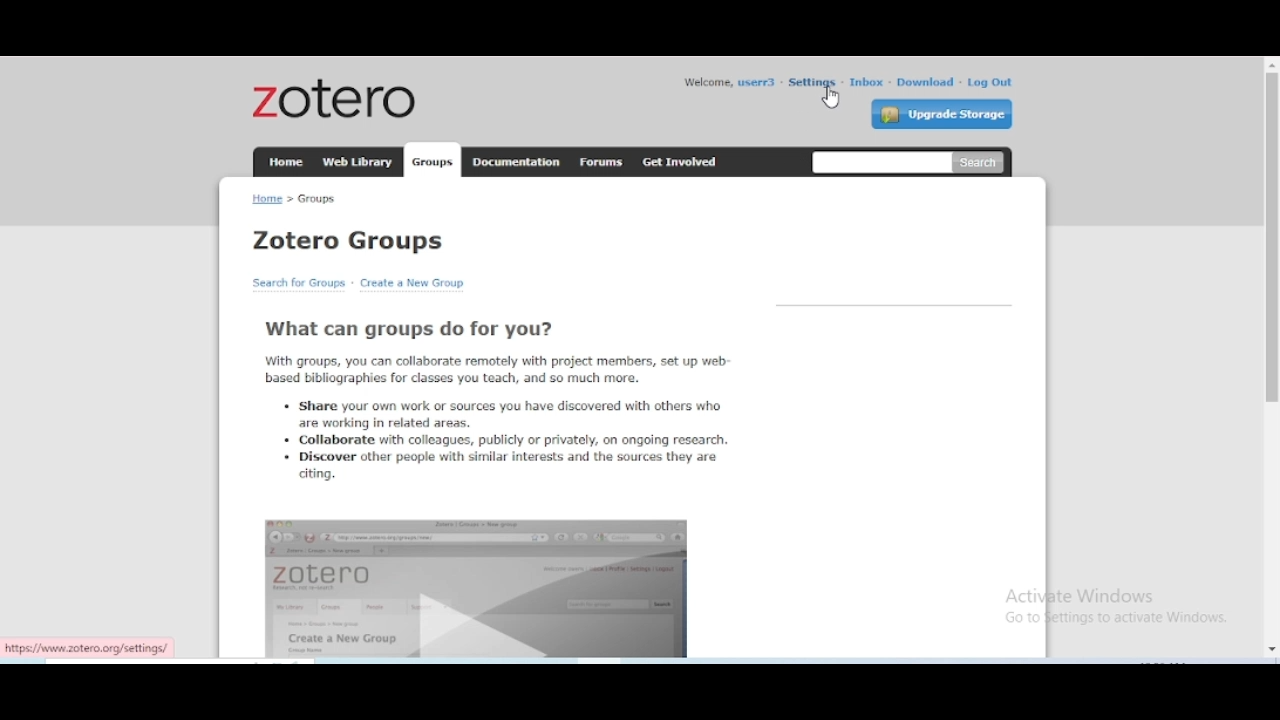 This screenshot has width=1280, height=720. Describe the element at coordinates (990, 83) in the screenshot. I see `log out` at that location.